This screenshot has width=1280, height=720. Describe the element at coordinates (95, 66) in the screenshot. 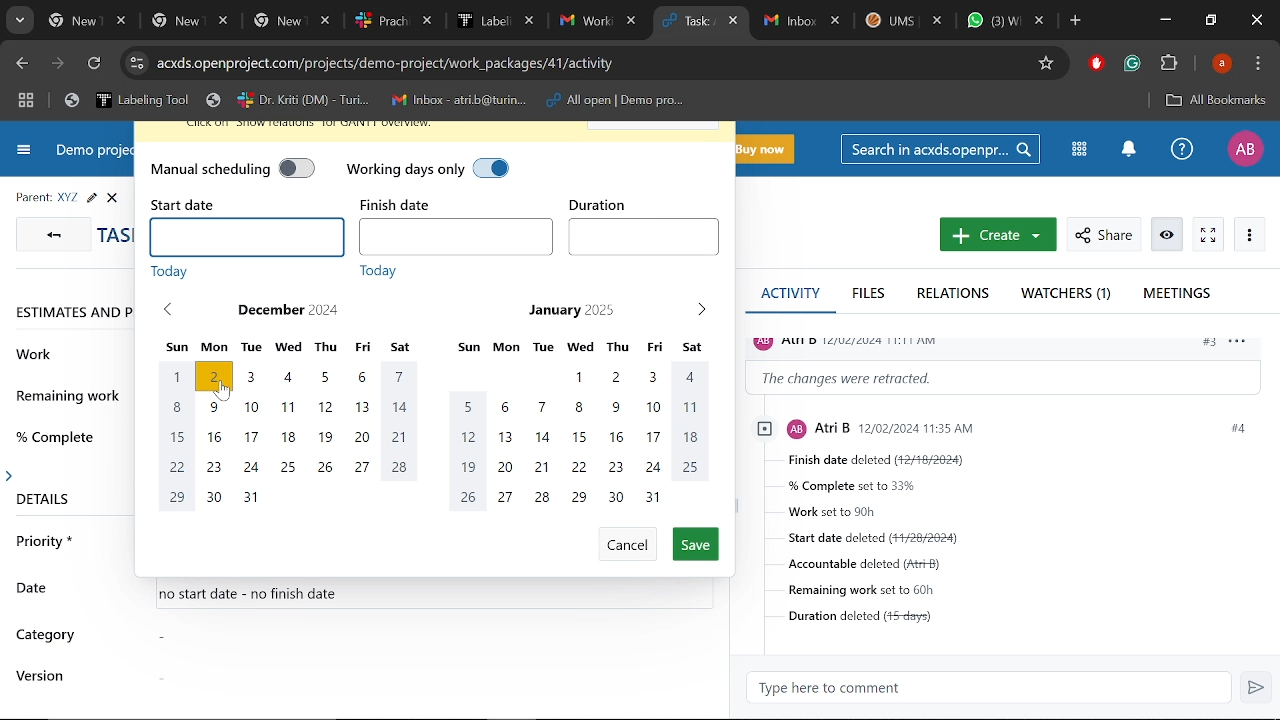

I see `Refresh` at that location.